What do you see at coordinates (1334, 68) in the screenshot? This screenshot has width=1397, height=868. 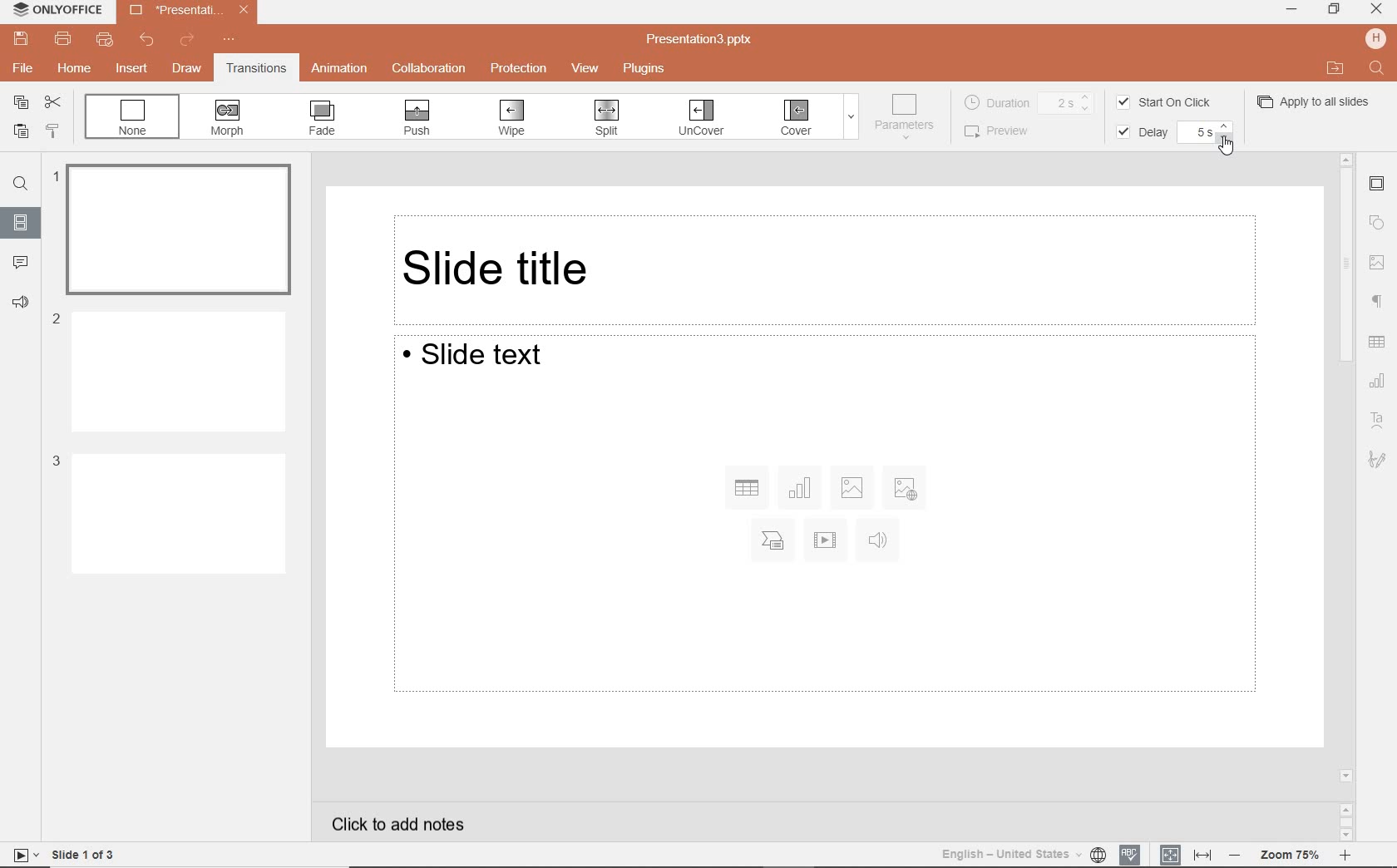 I see `OPEN FILE LOCATION` at bounding box center [1334, 68].